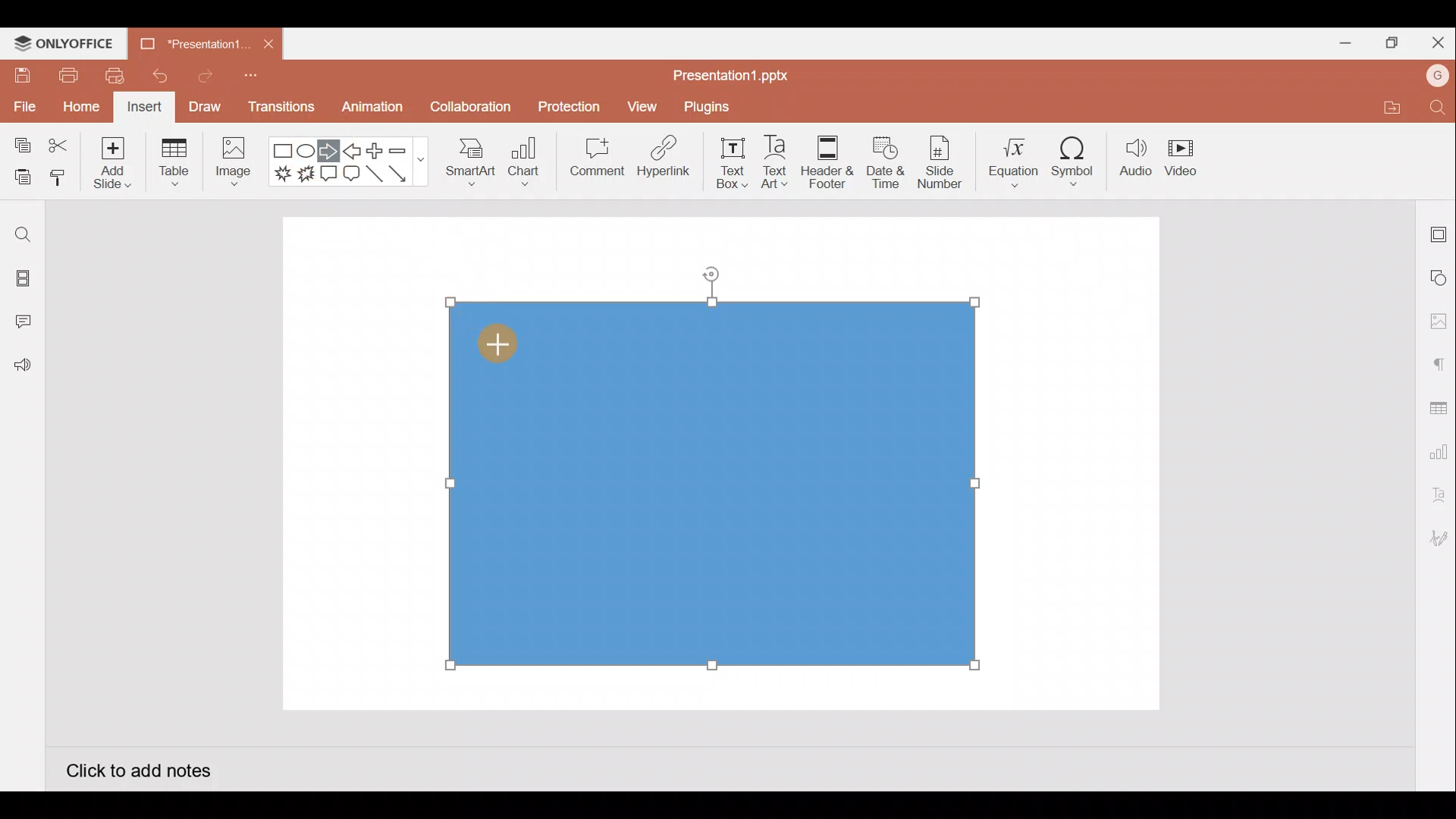 This screenshot has height=819, width=1456. What do you see at coordinates (1439, 231) in the screenshot?
I see `Slide settings` at bounding box center [1439, 231].